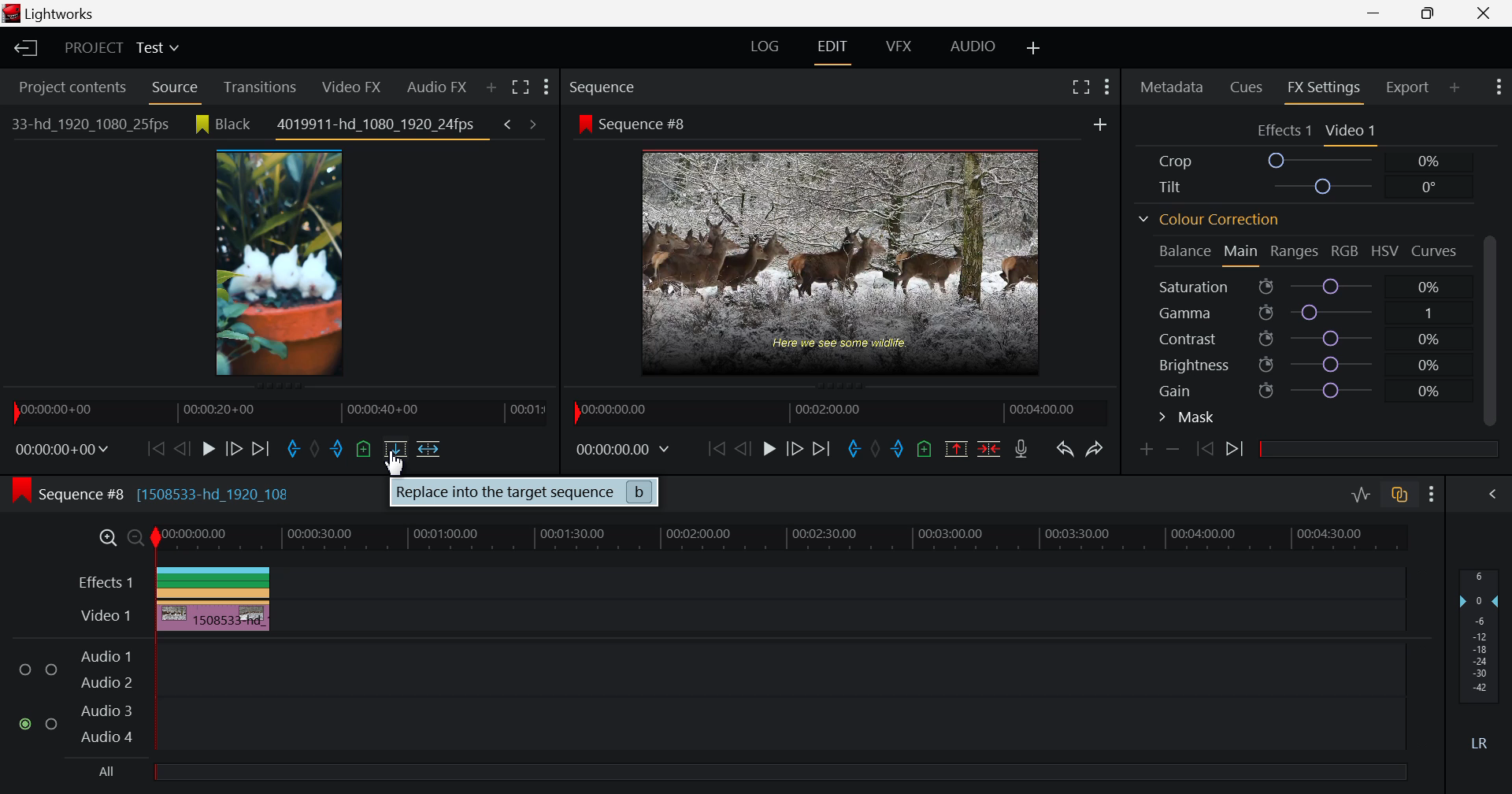 The height and width of the screenshot is (794, 1512). Describe the element at coordinates (1482, 14) in the screenshot. I see `Close` at that location.